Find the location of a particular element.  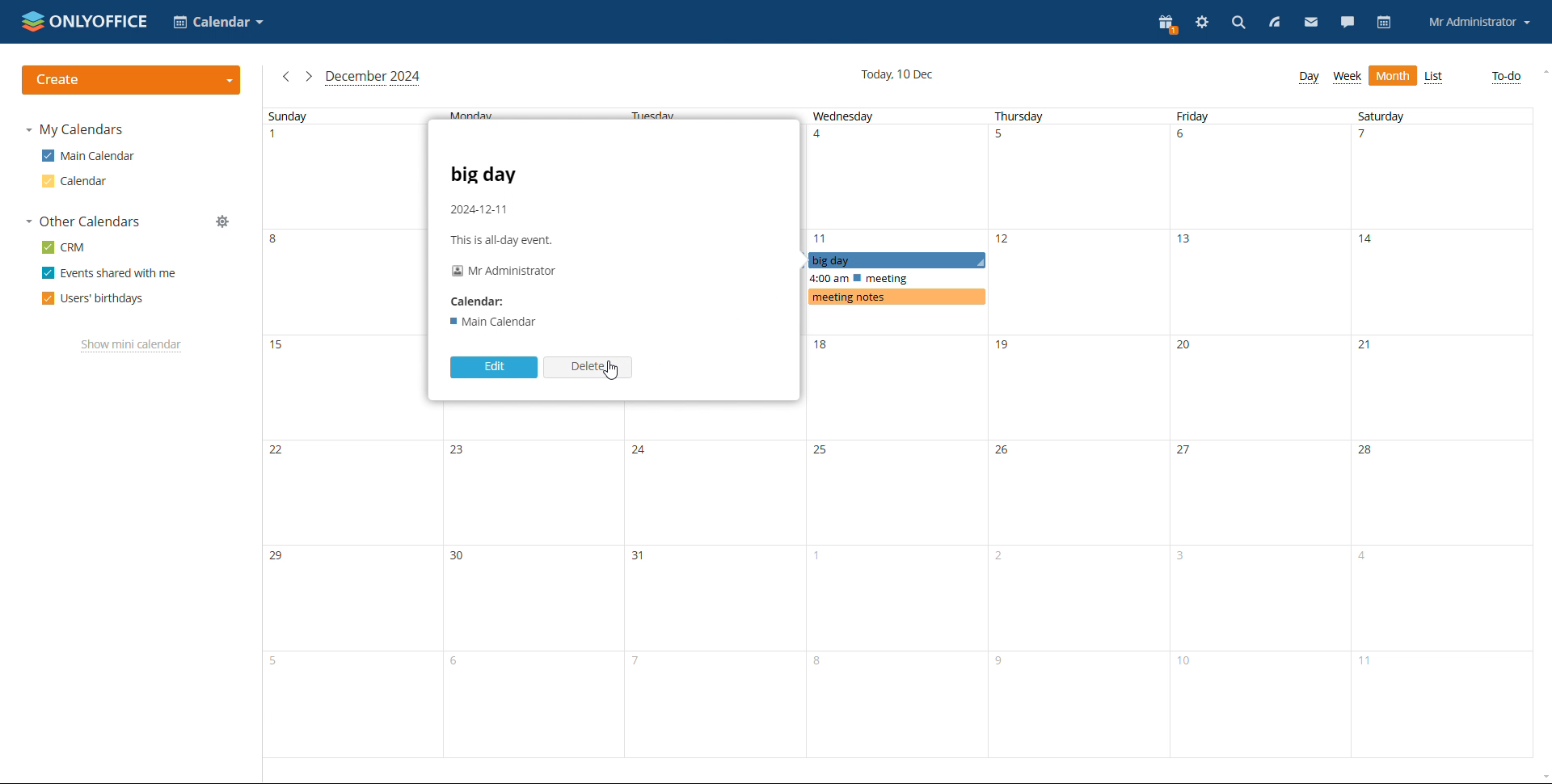

week view is located at coordinates (1347, 77).